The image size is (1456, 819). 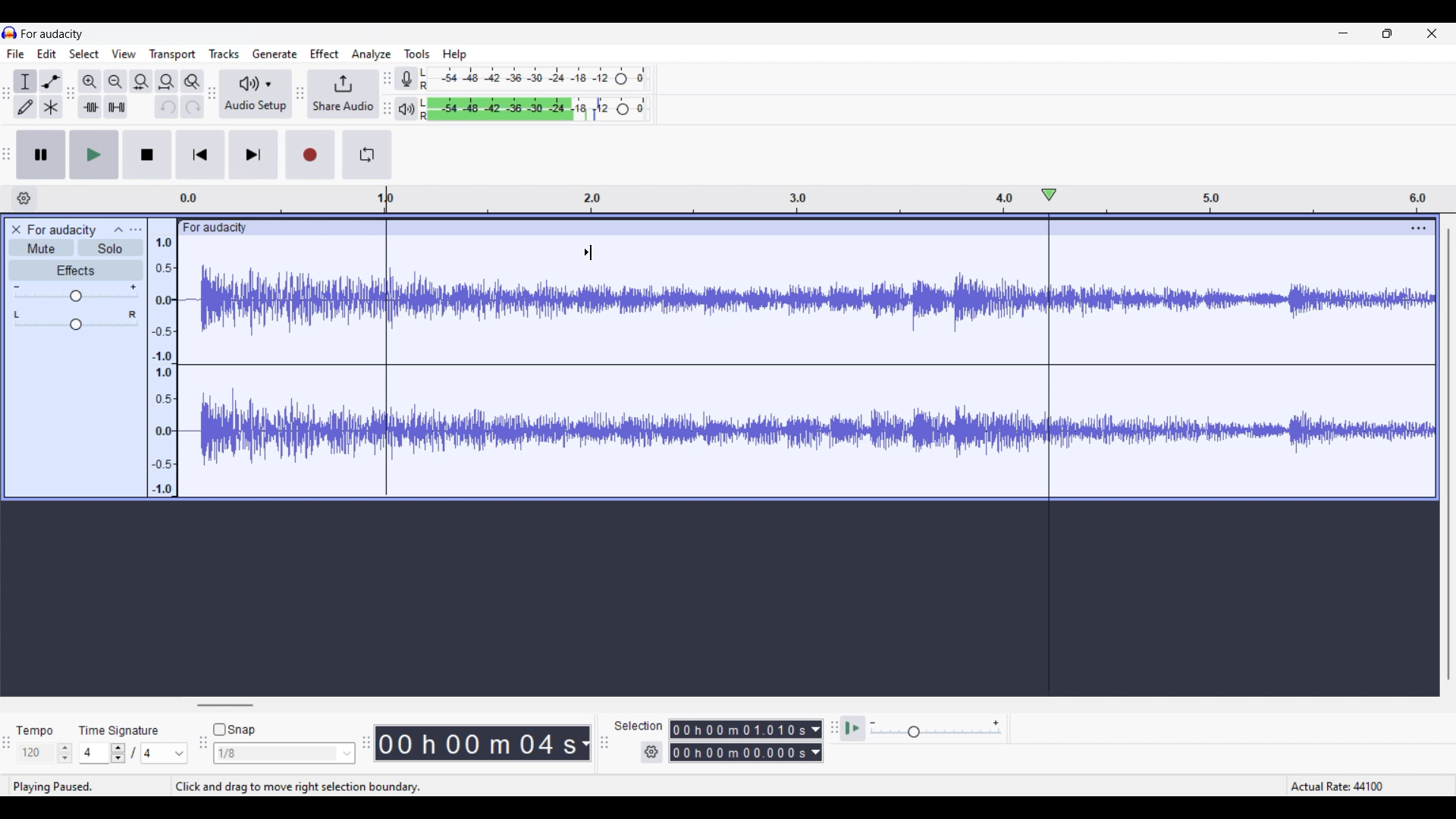 I want to click on Share audio, so click(x=342, y=94).